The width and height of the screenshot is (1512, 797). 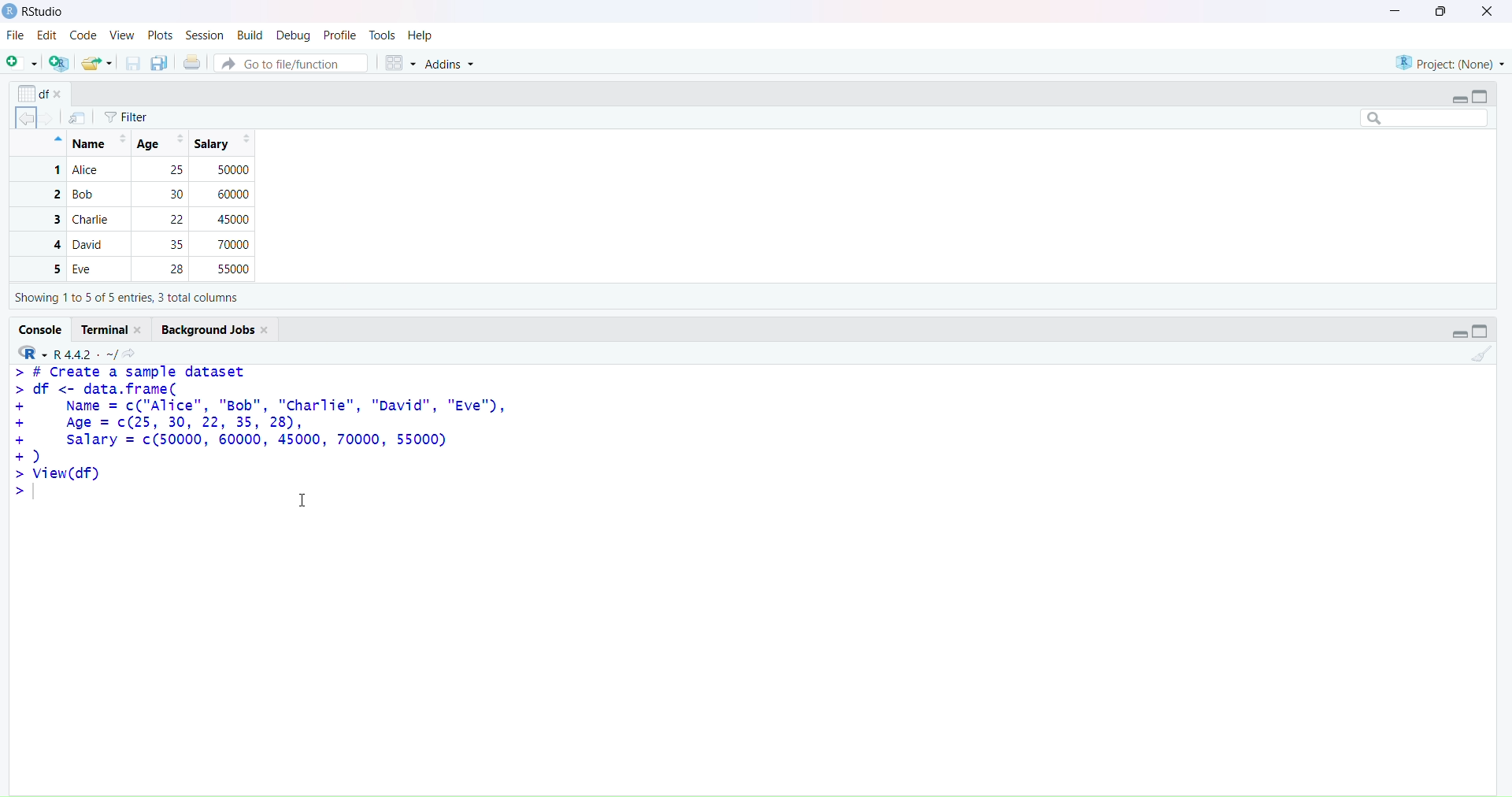 I want to click on save current documents, so click(x=134, y=64).